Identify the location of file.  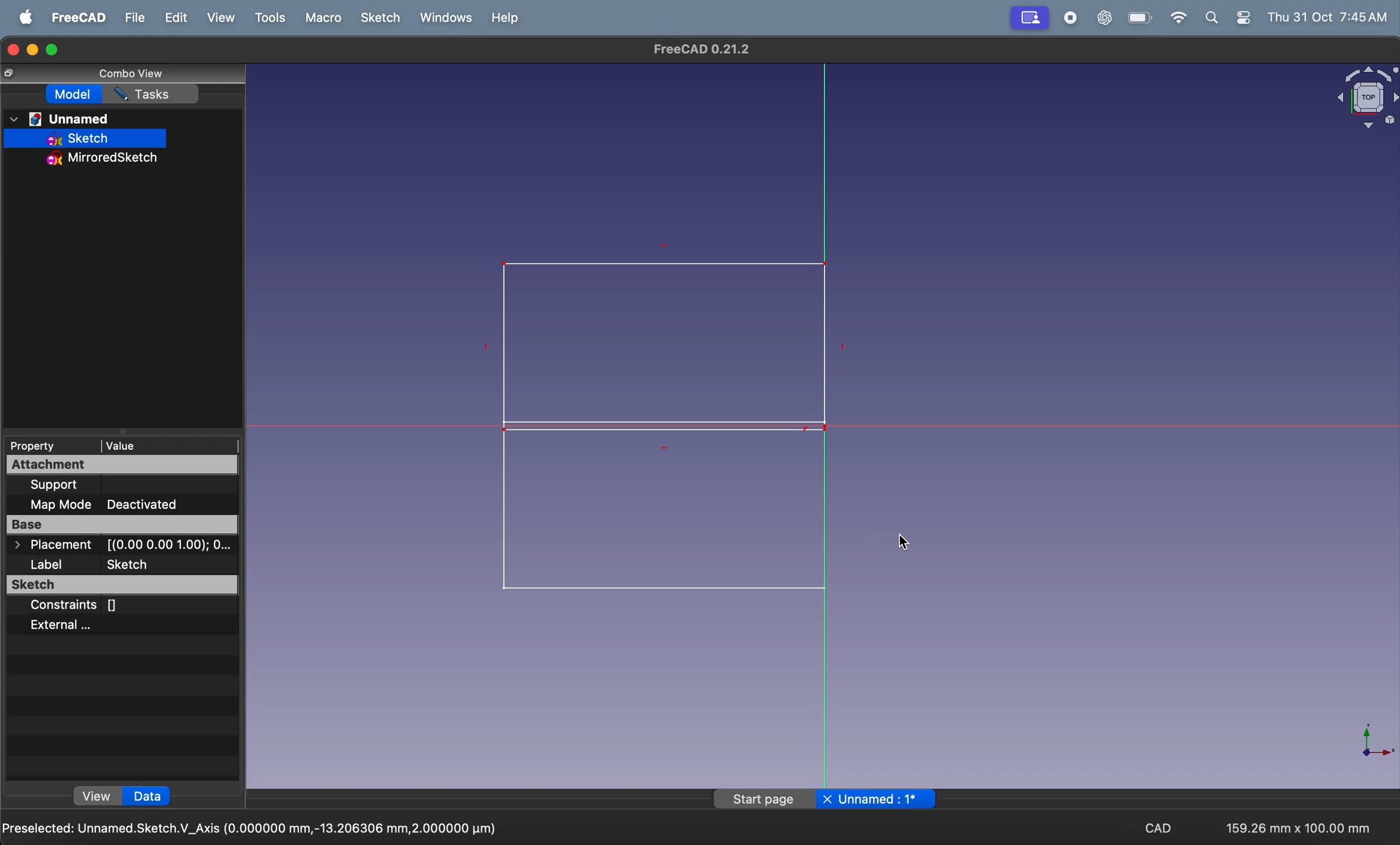
(134, 20).